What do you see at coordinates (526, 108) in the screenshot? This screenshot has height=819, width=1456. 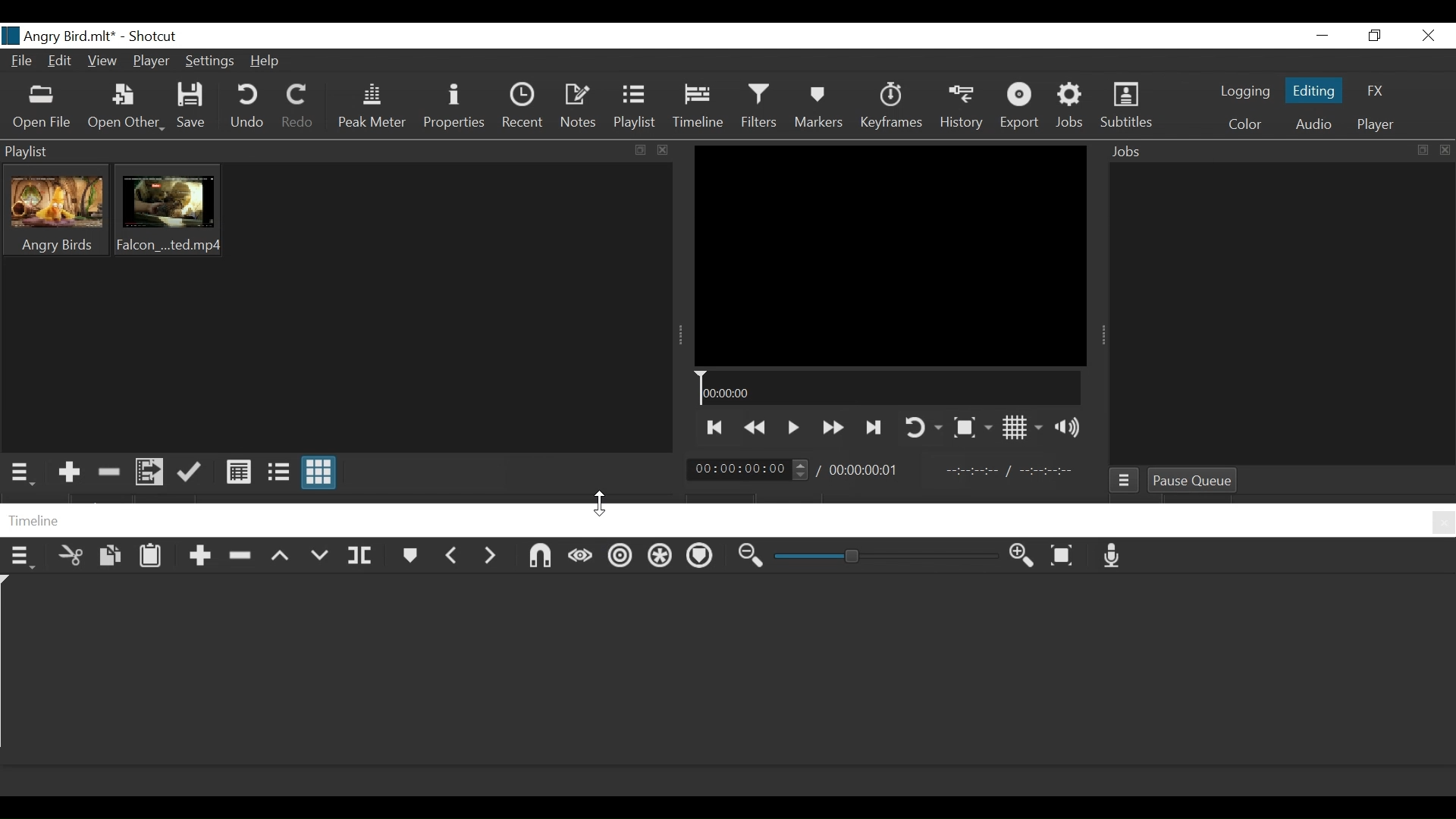 I see `Recent` at bounding box center [526, 108].